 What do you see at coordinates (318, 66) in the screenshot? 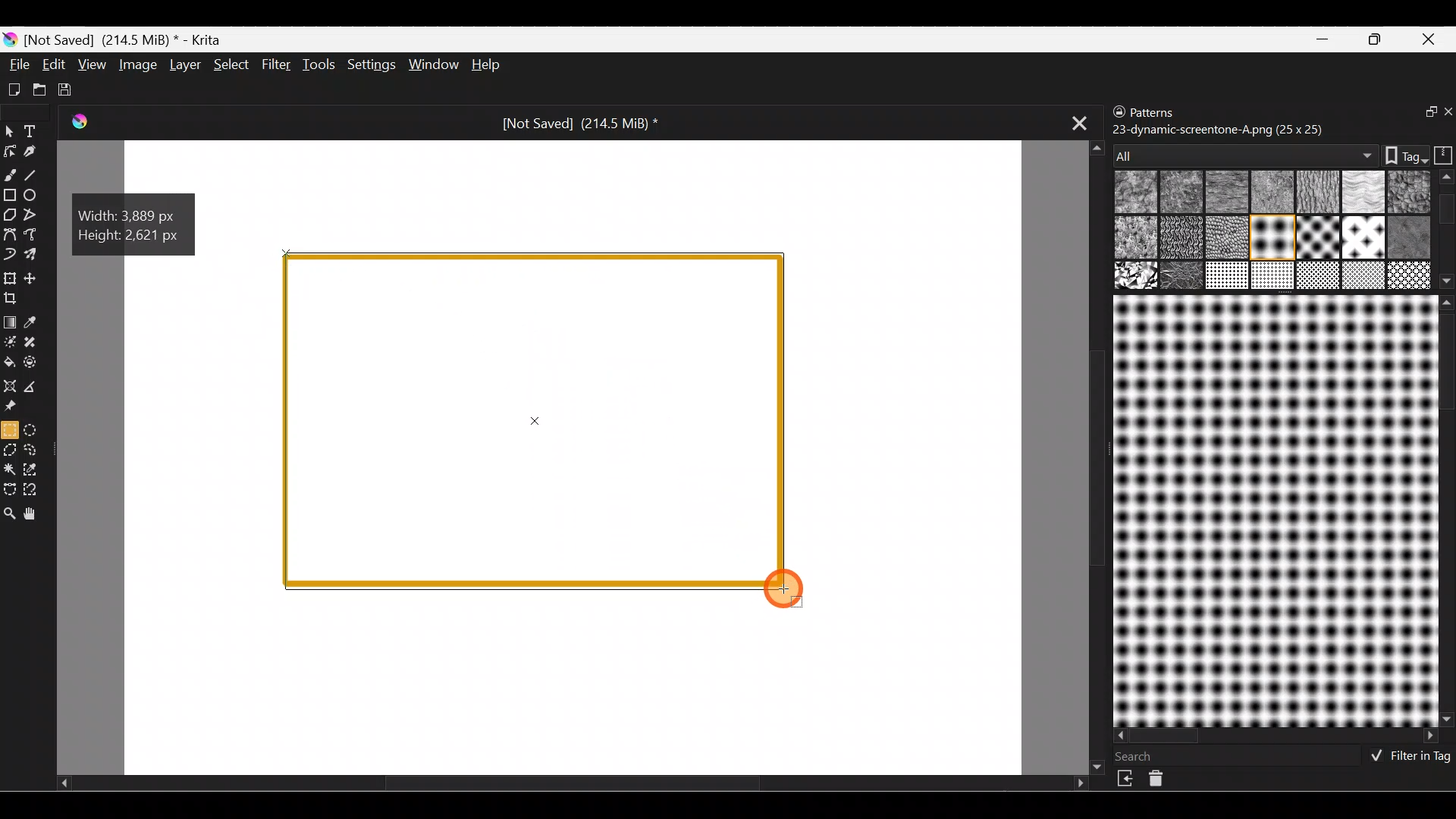
I see `Tools` at bounding box center [318, 66].